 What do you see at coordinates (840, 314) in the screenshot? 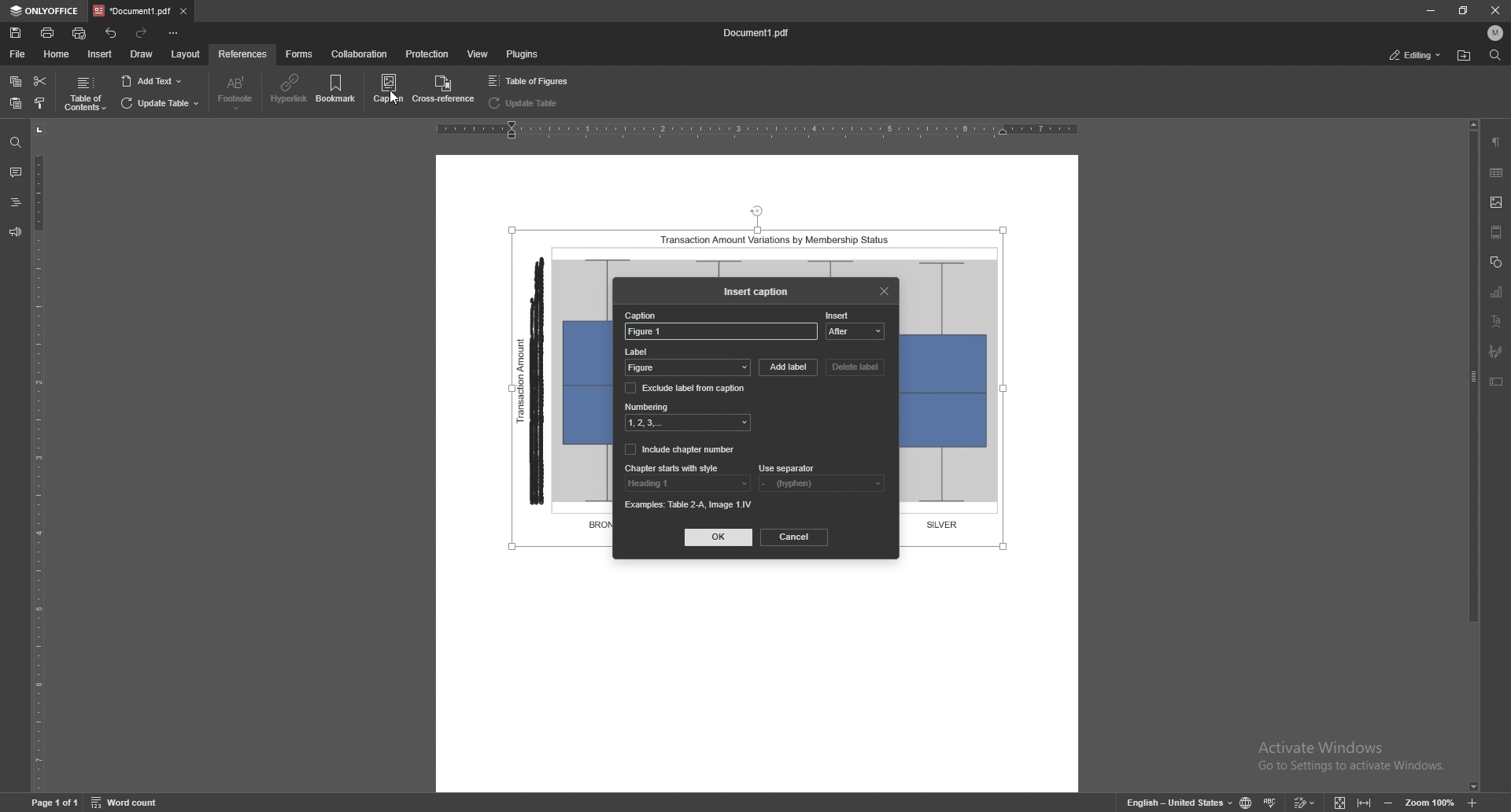
I see `insert` at bounding box center [840, 314].